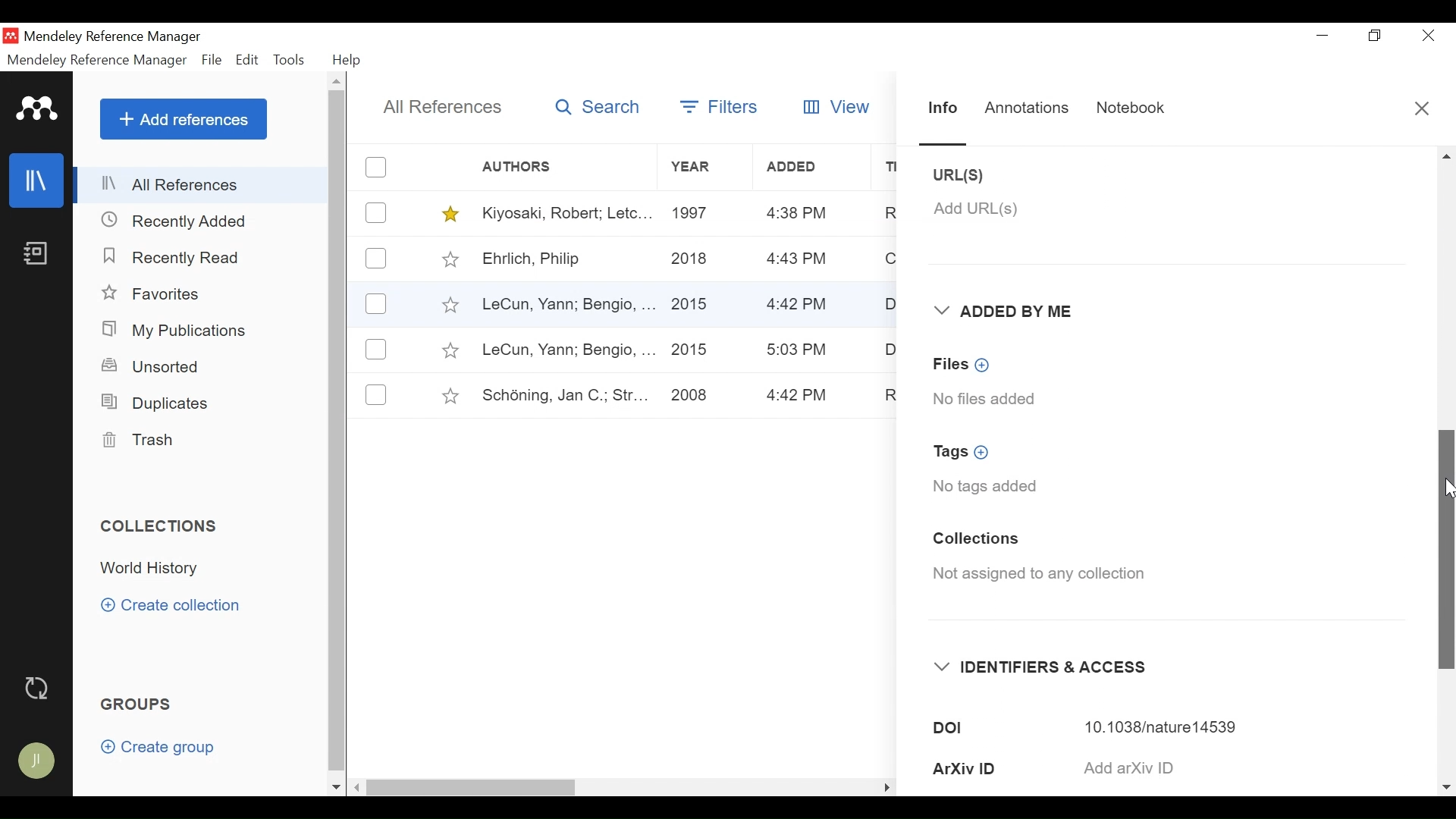  Describe the element at coordinates (718, 106) in the screenshot. I see `Filters` at that location.